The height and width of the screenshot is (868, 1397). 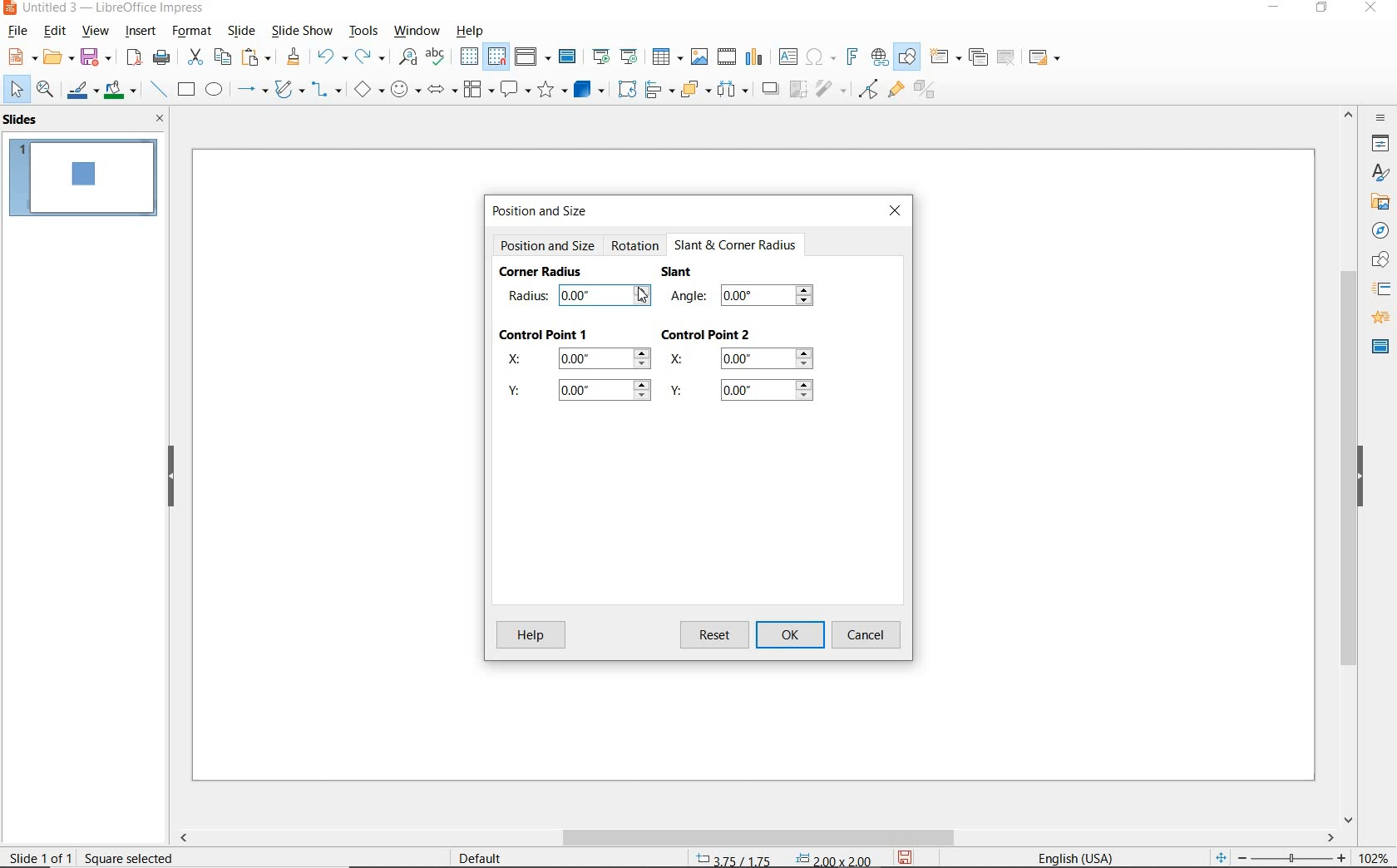 What do you see at coordinates (799, 91) in the screenshot?
I see `crop image` at bounding box center [799, 91].